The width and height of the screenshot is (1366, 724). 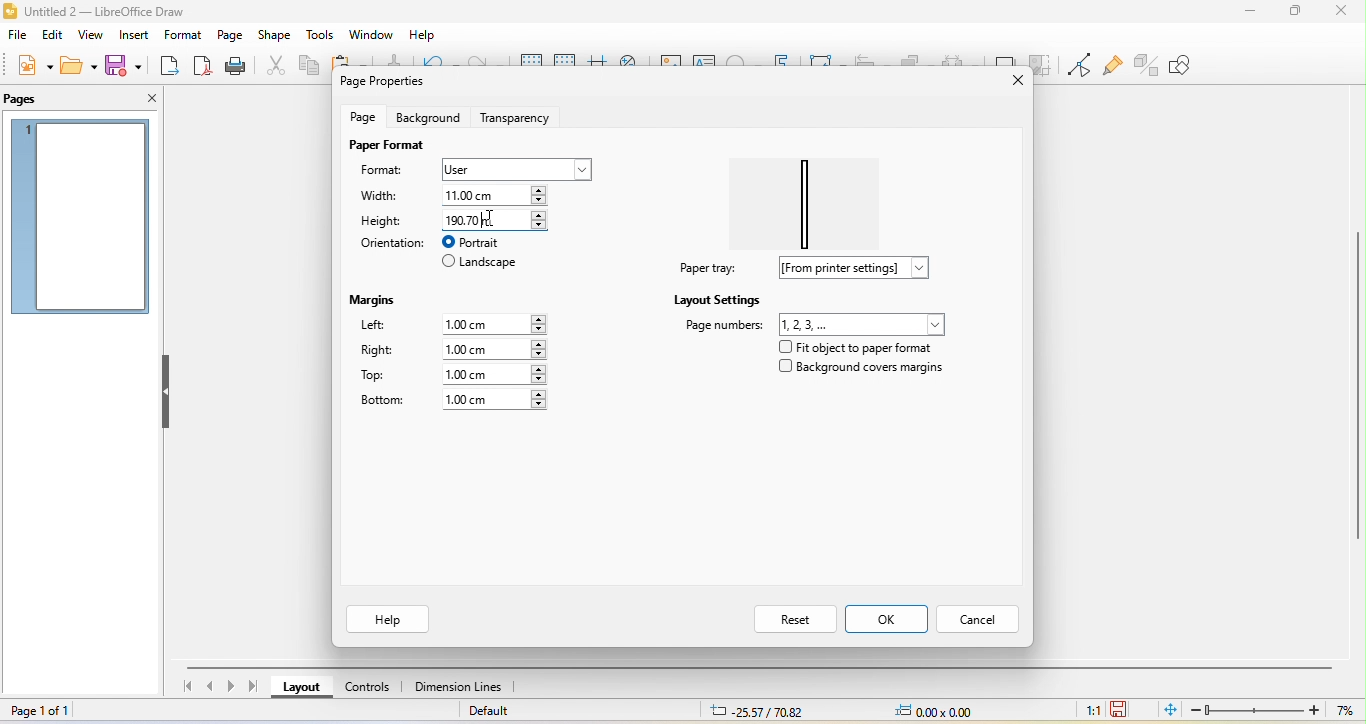 What do you see at coordinates (31, 99) in the screenshot?
I see `pages` at bounding box center [31, 99].